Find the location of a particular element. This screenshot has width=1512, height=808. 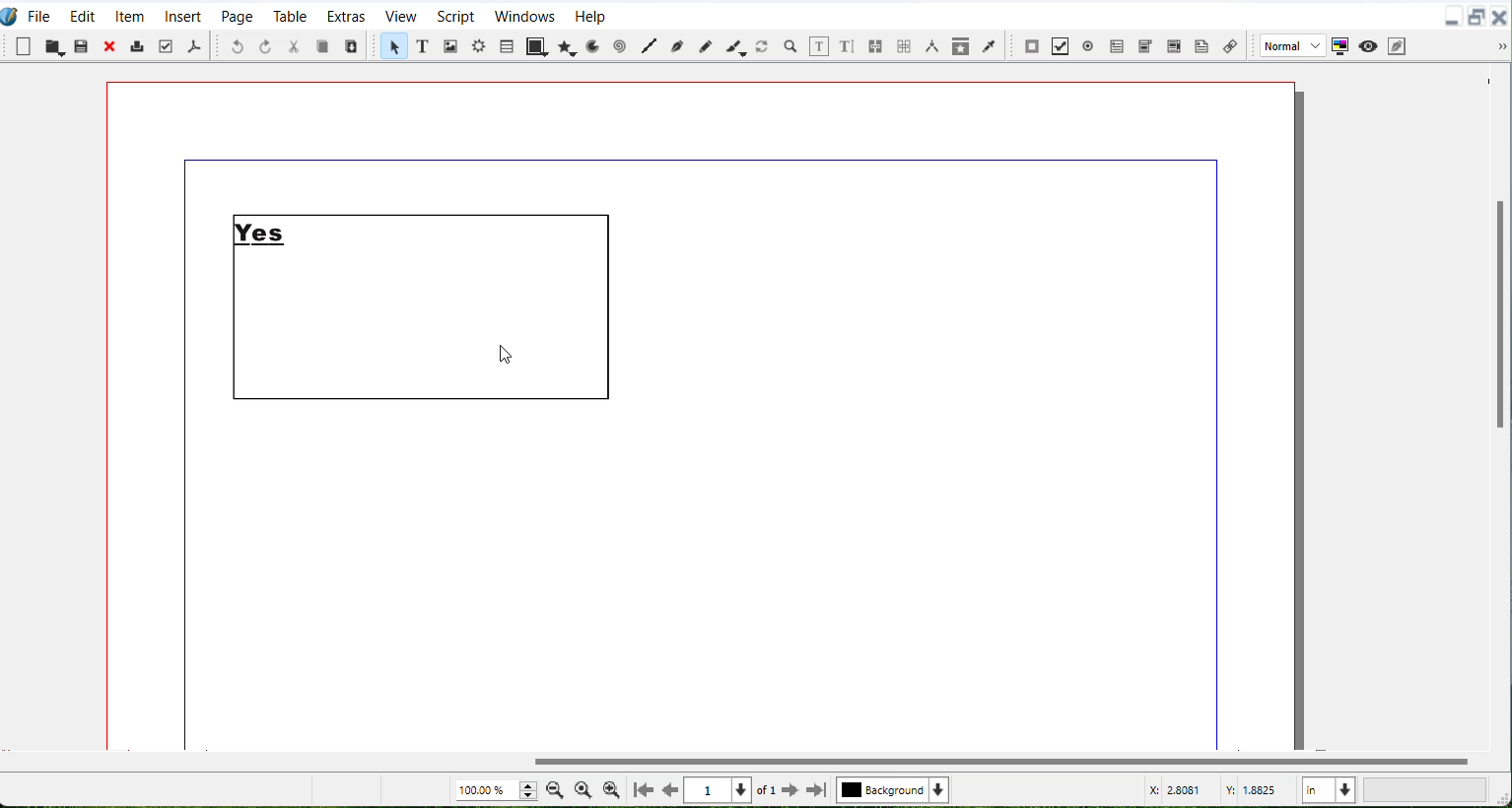

Table is located at coordinates (290, 16).